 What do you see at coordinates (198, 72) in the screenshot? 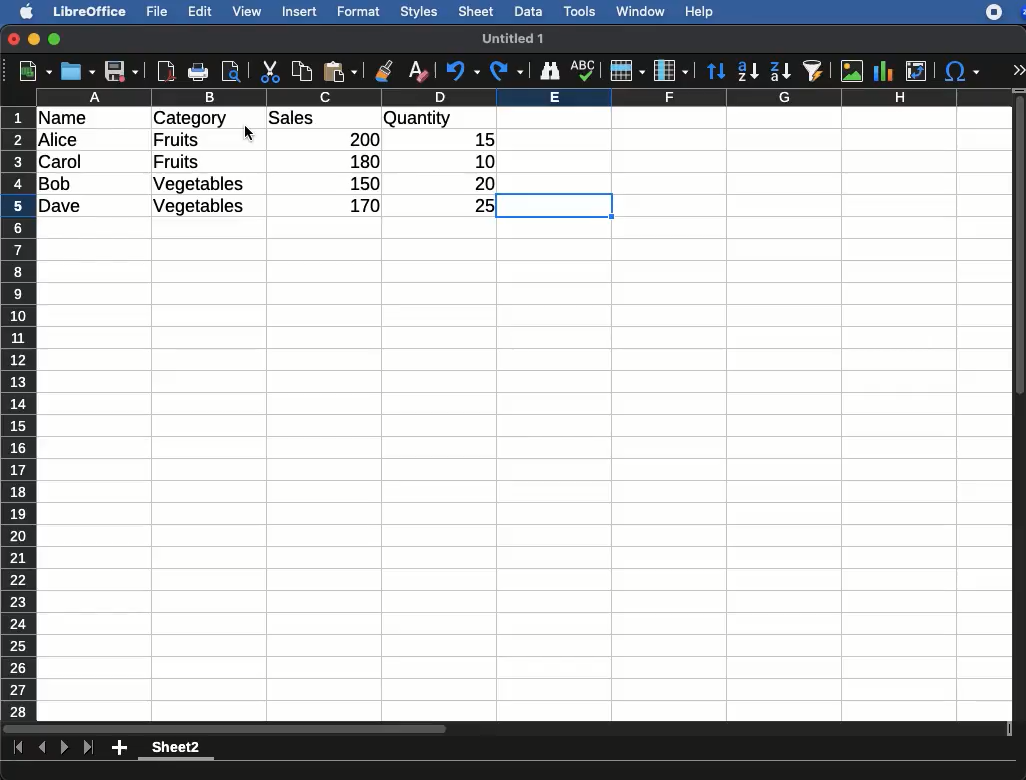
I see `print` at bounding box center [198, 72].